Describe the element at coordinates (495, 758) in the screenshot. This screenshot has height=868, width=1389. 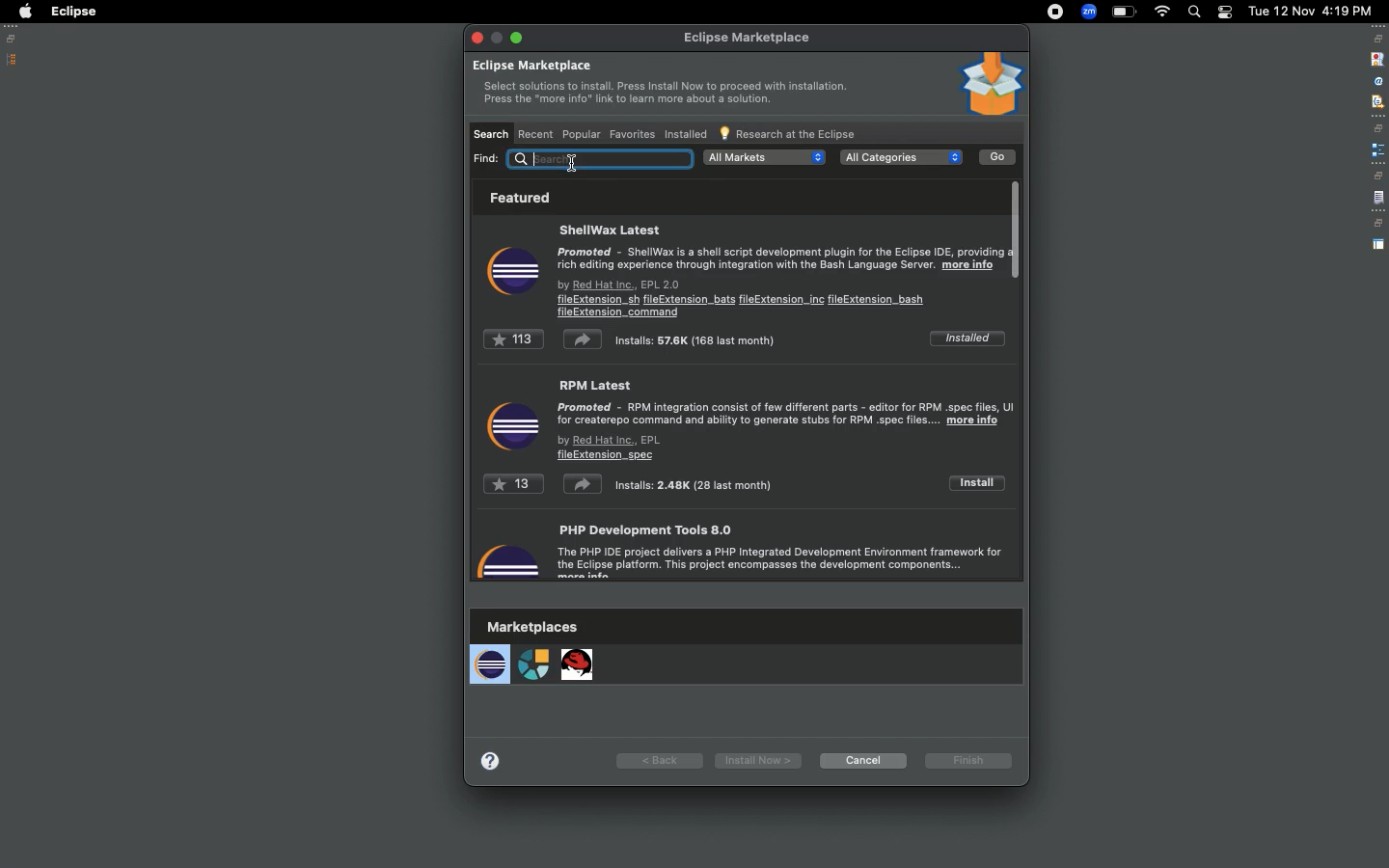
I see `more` at that location.